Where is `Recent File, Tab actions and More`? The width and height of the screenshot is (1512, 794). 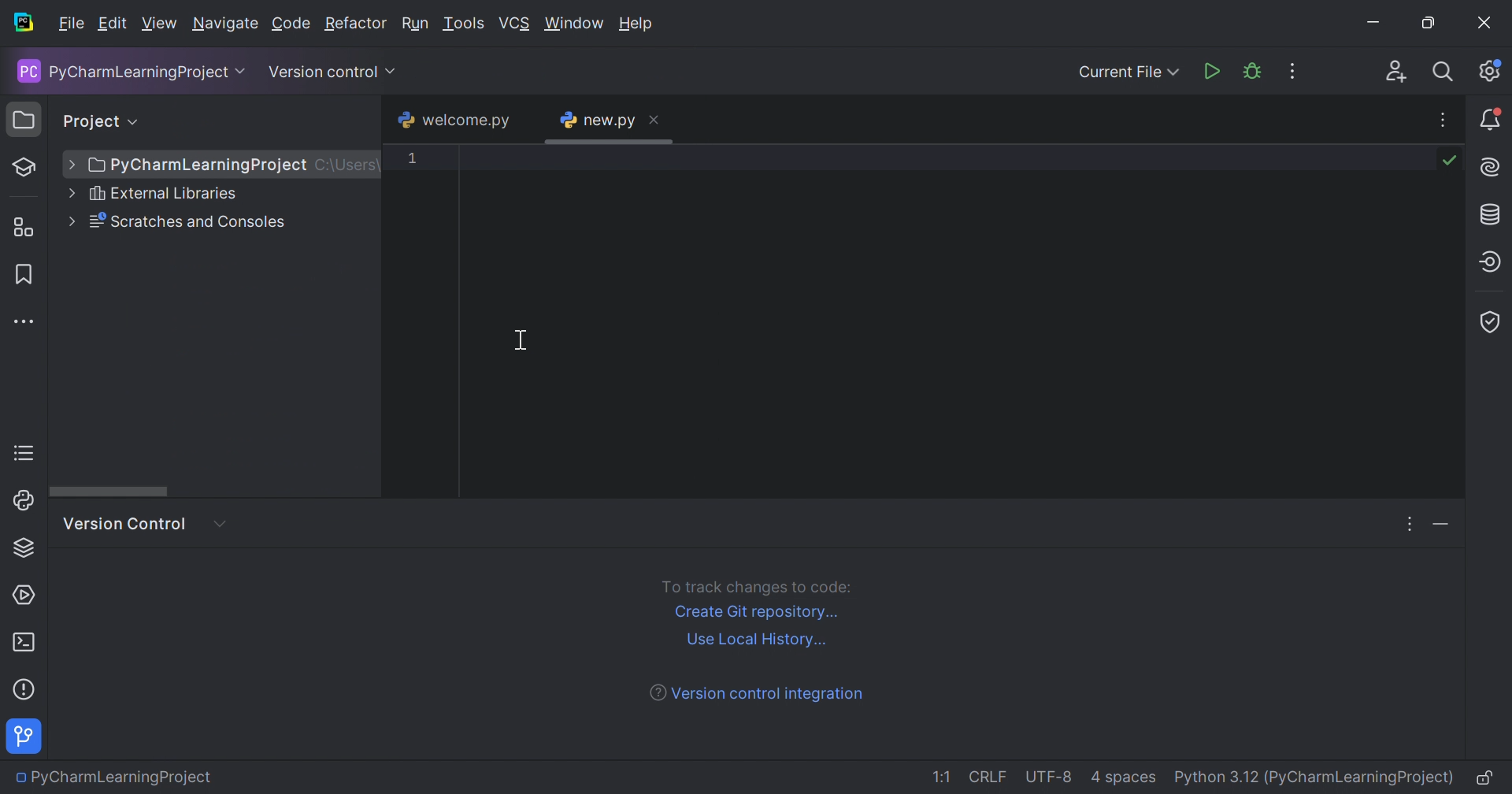 Recent File, Tab actions and More is located at coordinates (1443, 117).